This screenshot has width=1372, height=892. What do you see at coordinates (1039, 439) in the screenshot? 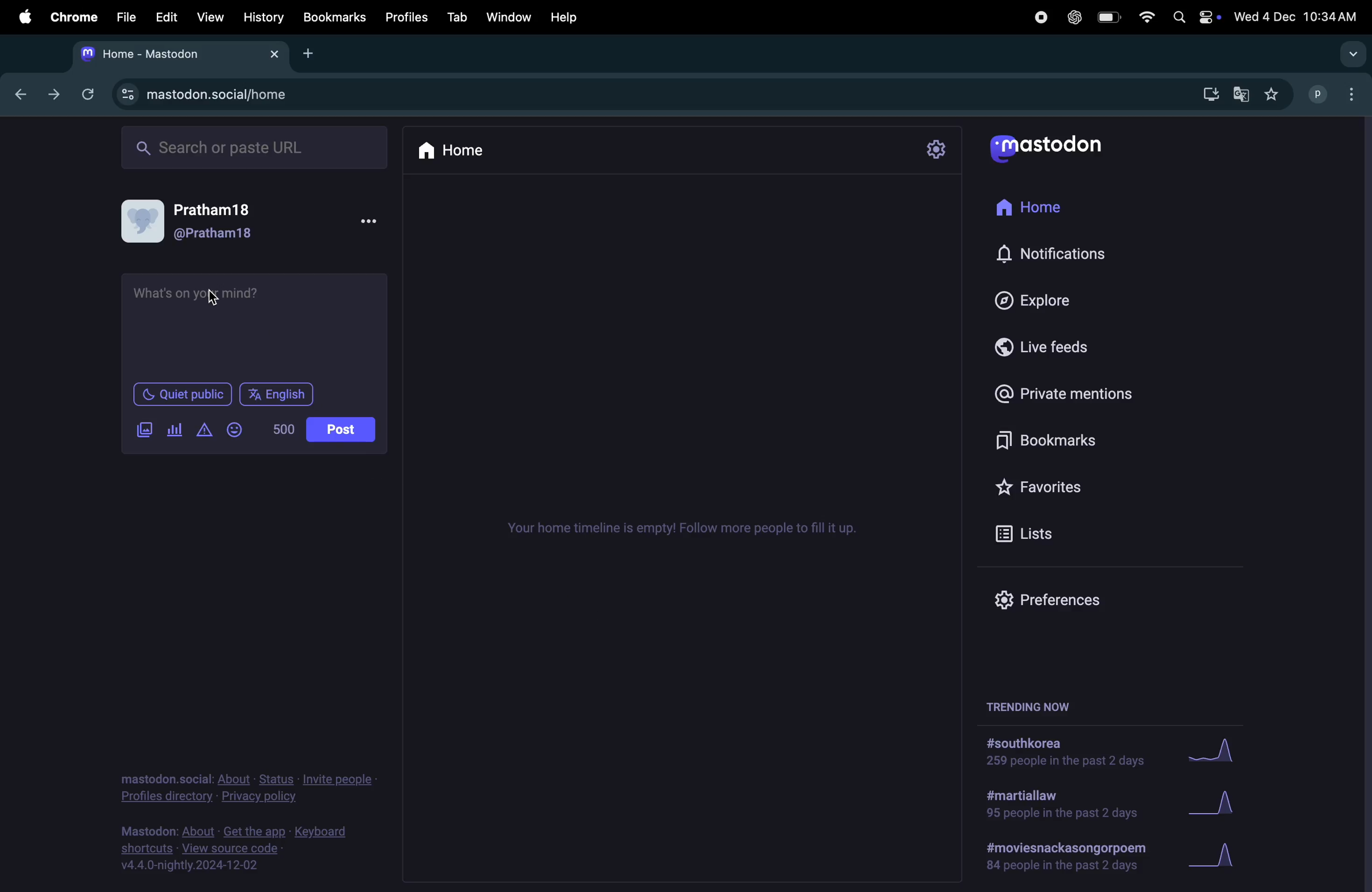
I see `bookmarks` at bounding box center [1039, 439].